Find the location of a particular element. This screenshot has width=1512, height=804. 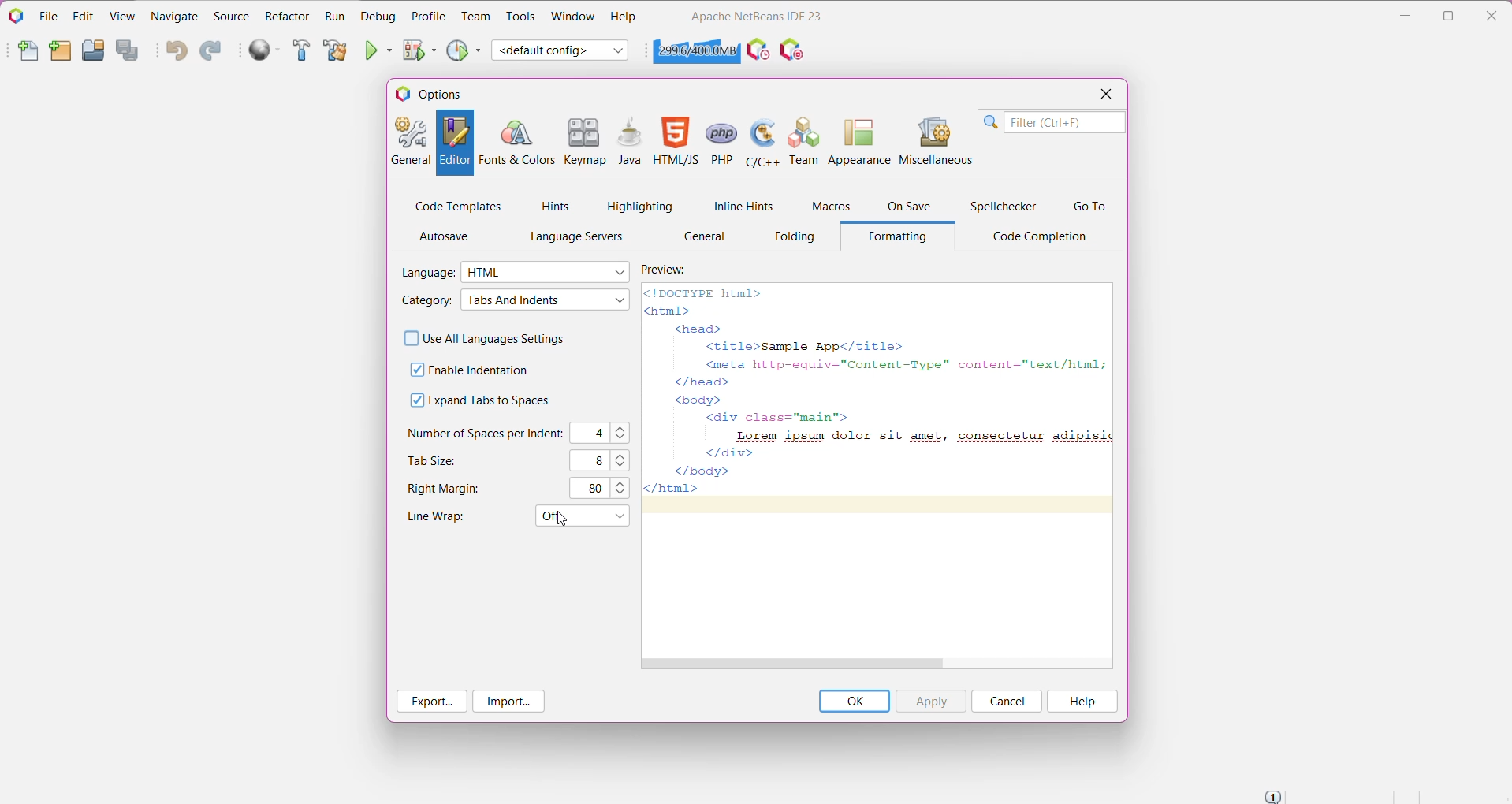

Number of Spaces per Indent is located at coordinates (485, 433).